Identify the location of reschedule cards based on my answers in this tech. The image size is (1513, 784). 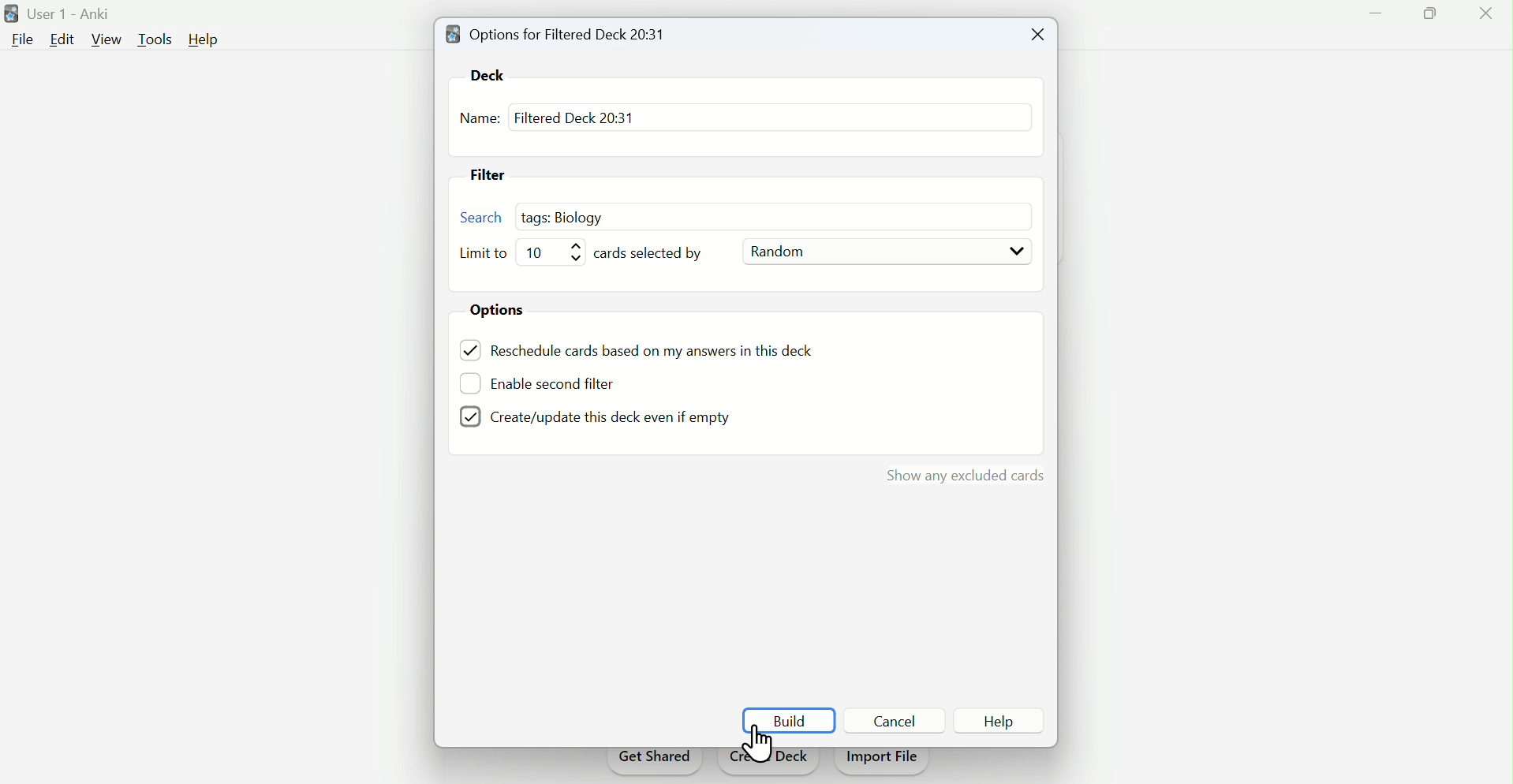
(663, 353).